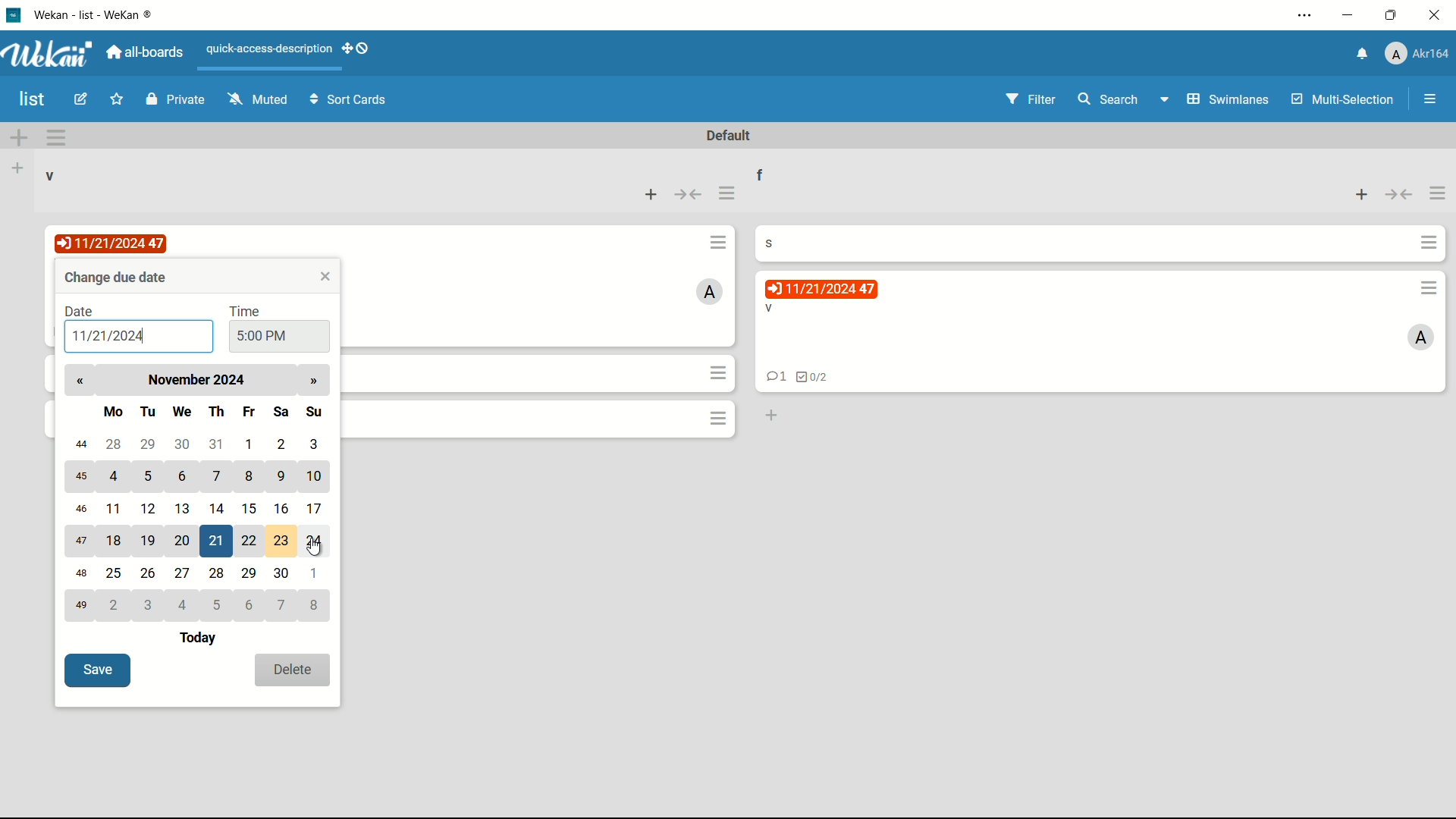  Describe the element at coordinates (720, 372) in the screenshot. I see `card actions` at that location.